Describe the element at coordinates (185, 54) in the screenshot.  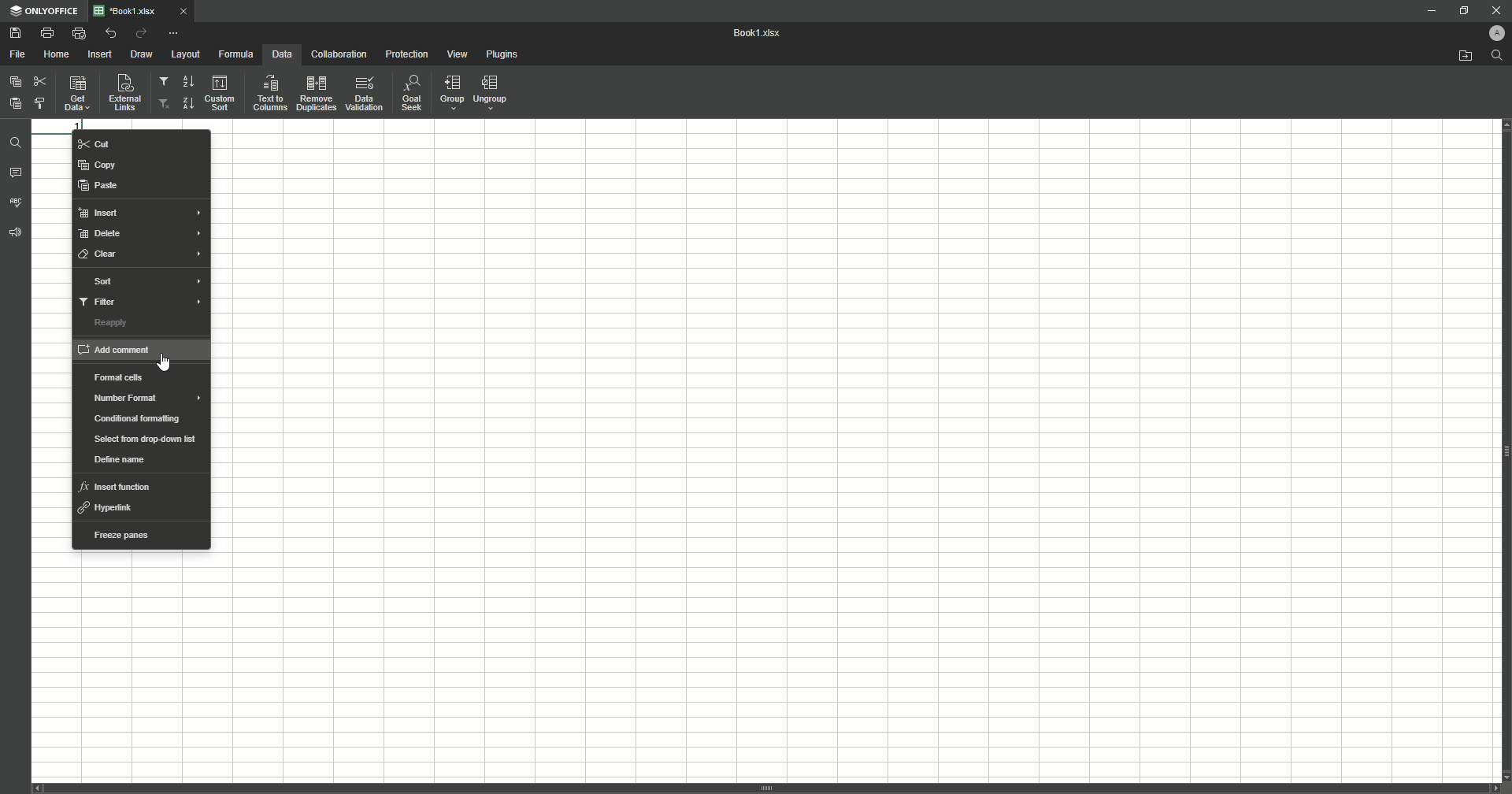
I see `Layout` at that location.